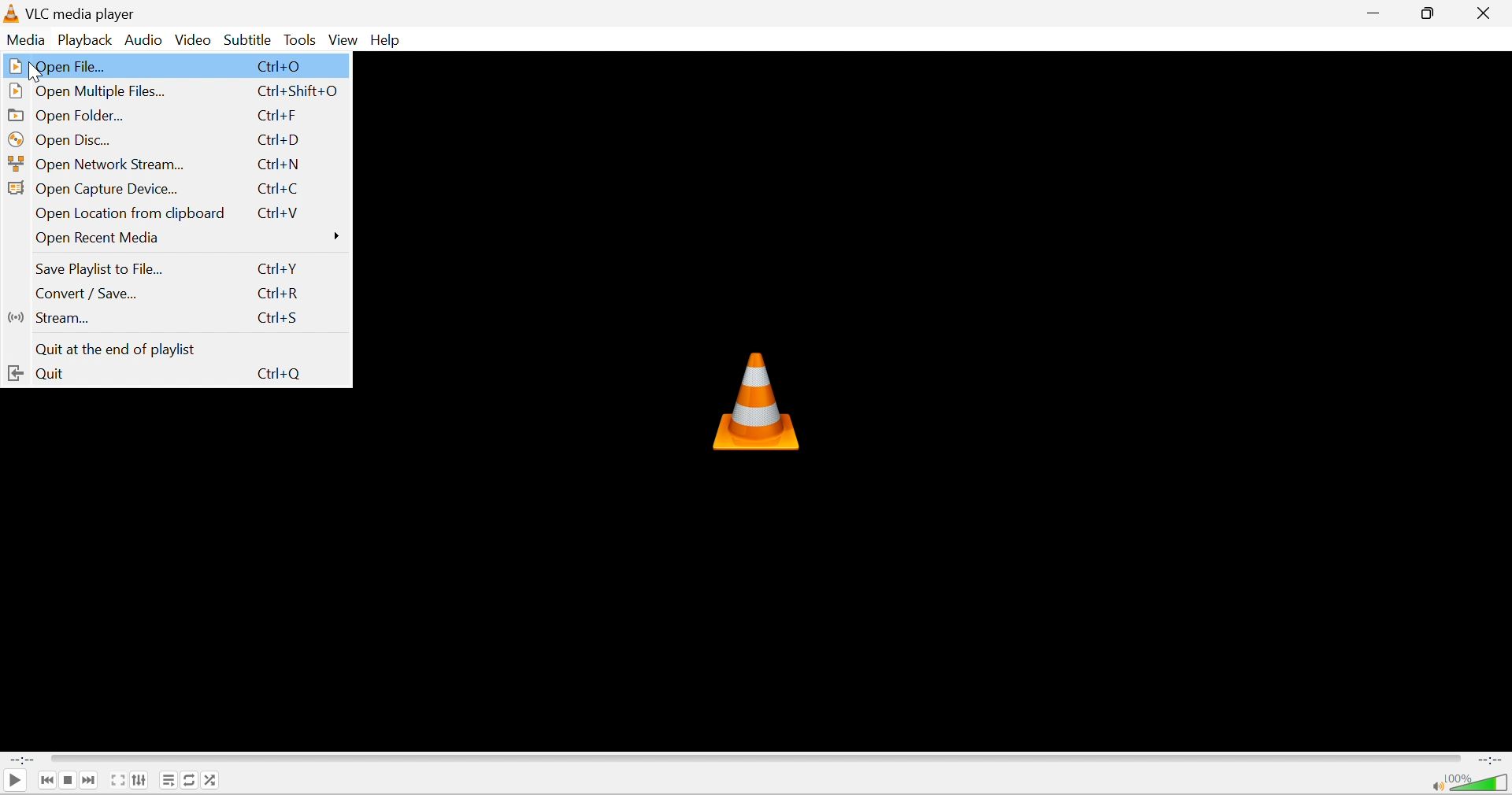 The image size is (1512, 795). What do you see at coordinates (282, 66) in the screenshot?
I see `Ctrl + O` at bounding box center [282, 66].